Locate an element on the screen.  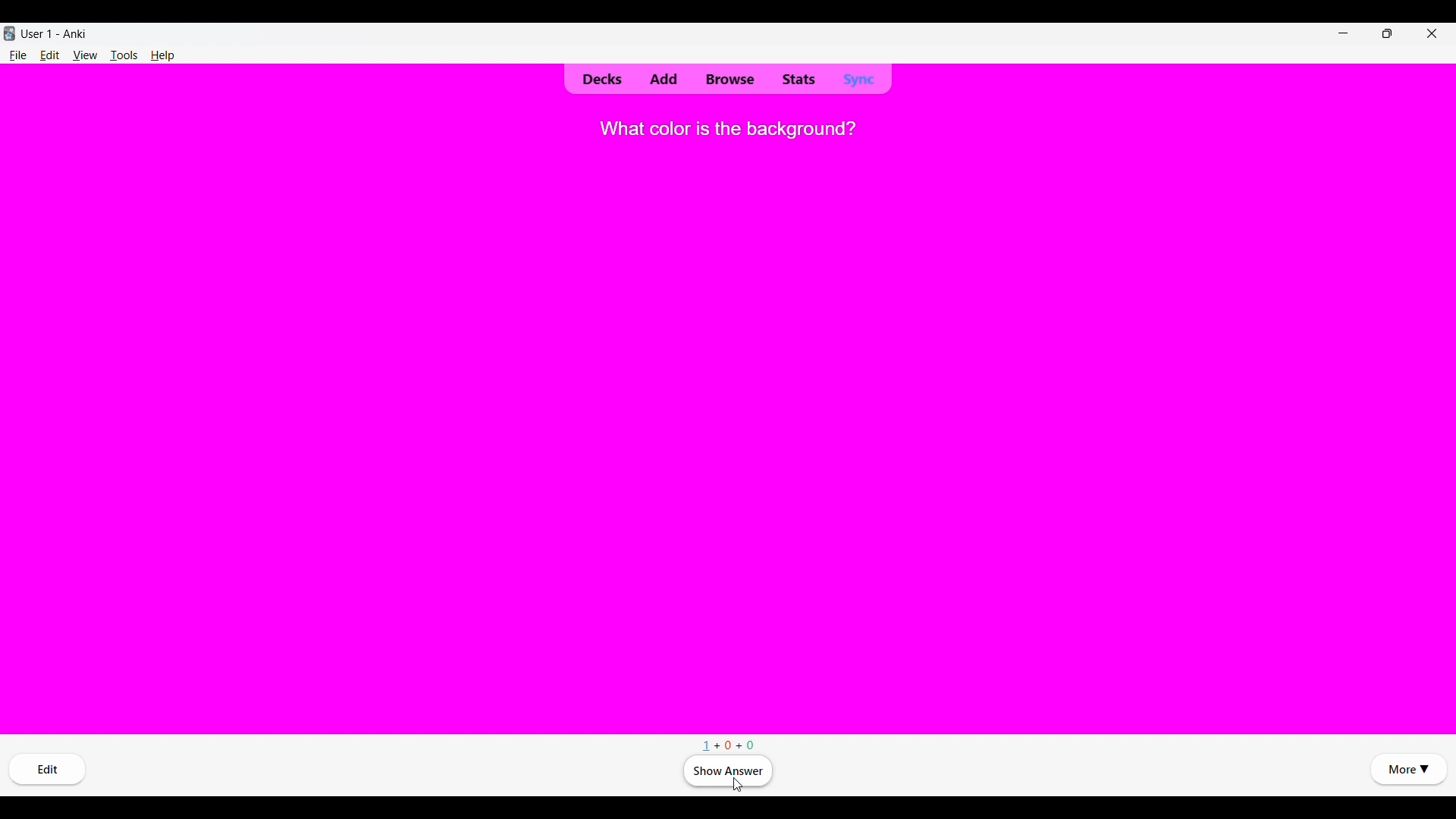
Question is located at coordinates (726, 130).